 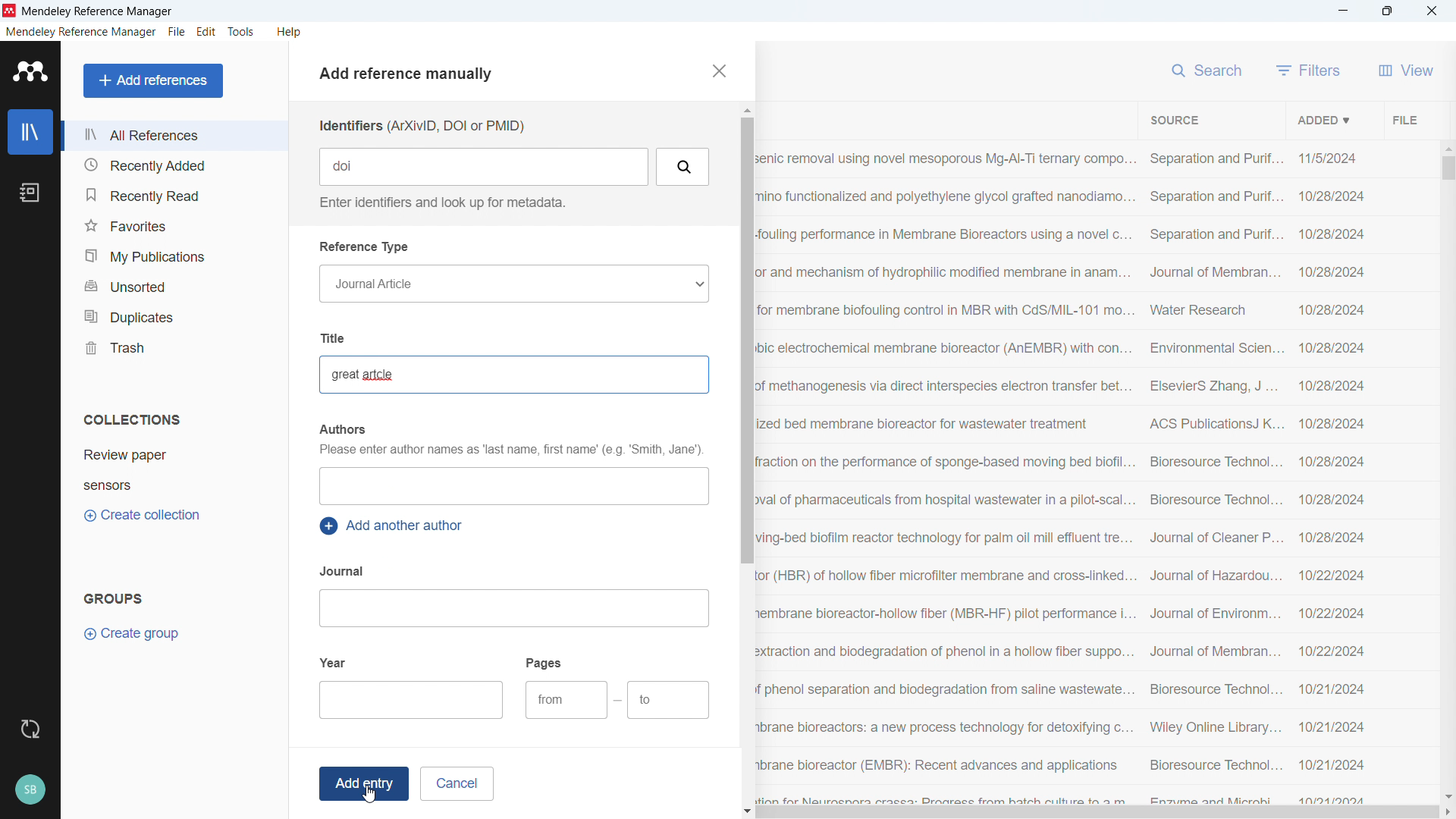 What do you see at coordinates (946, 475) in the screenshot?
I see `Title of individual entries ` at bounding box center [946, 475].